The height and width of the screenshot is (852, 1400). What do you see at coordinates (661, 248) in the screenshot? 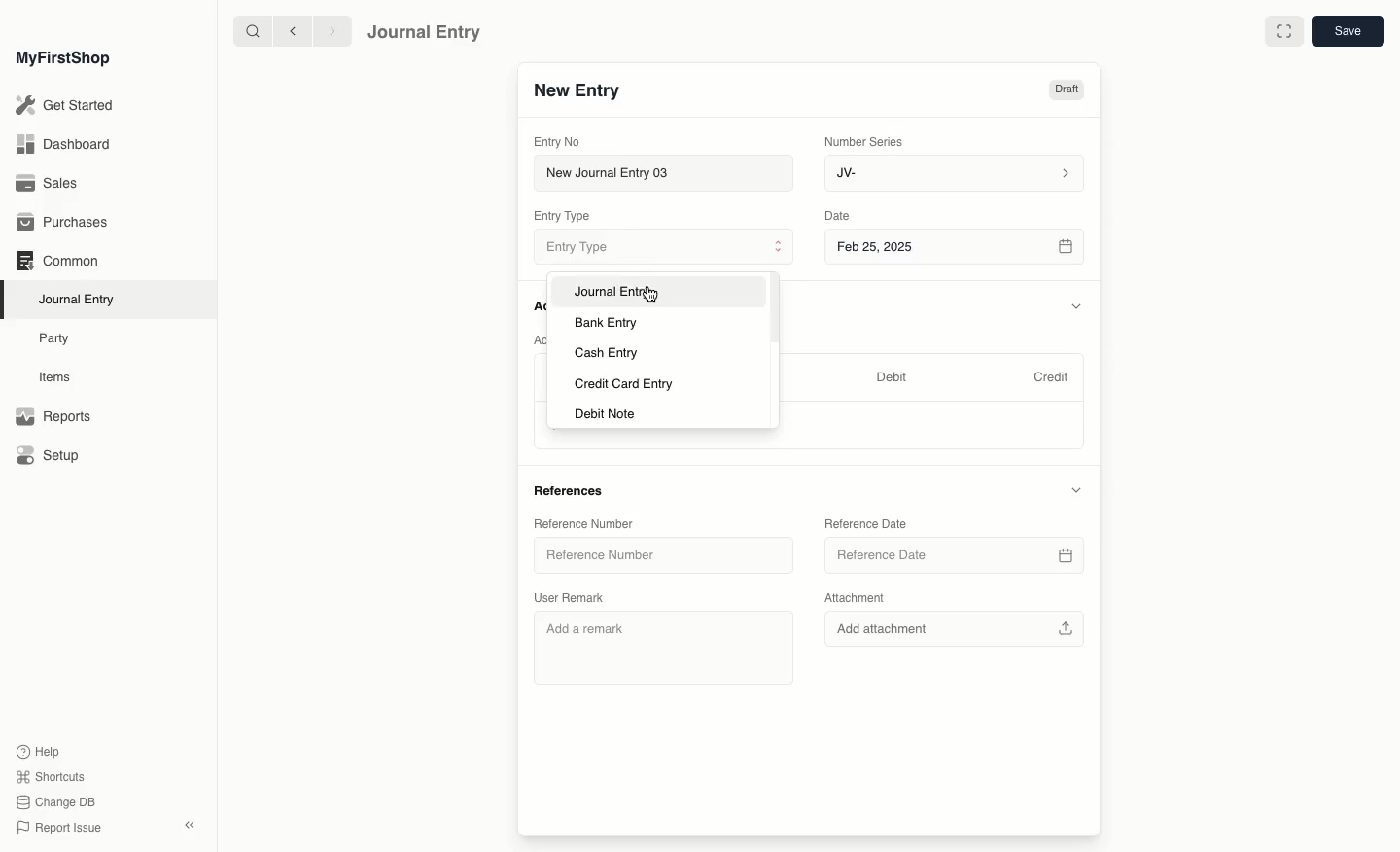
I see `Entry Type` at bounding box center [661, 248].